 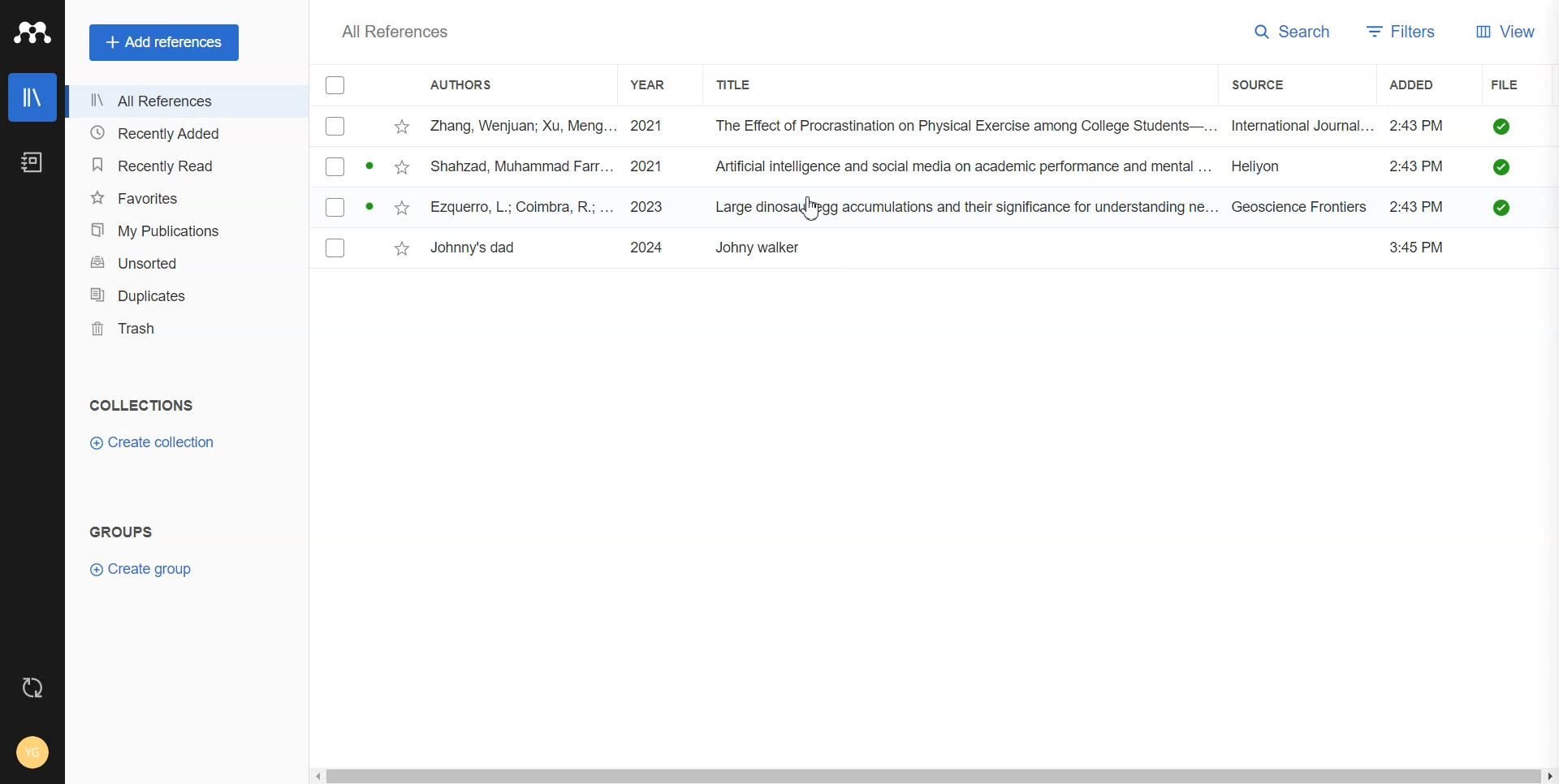 I want to click on Starred, so click(x=403, y=126).